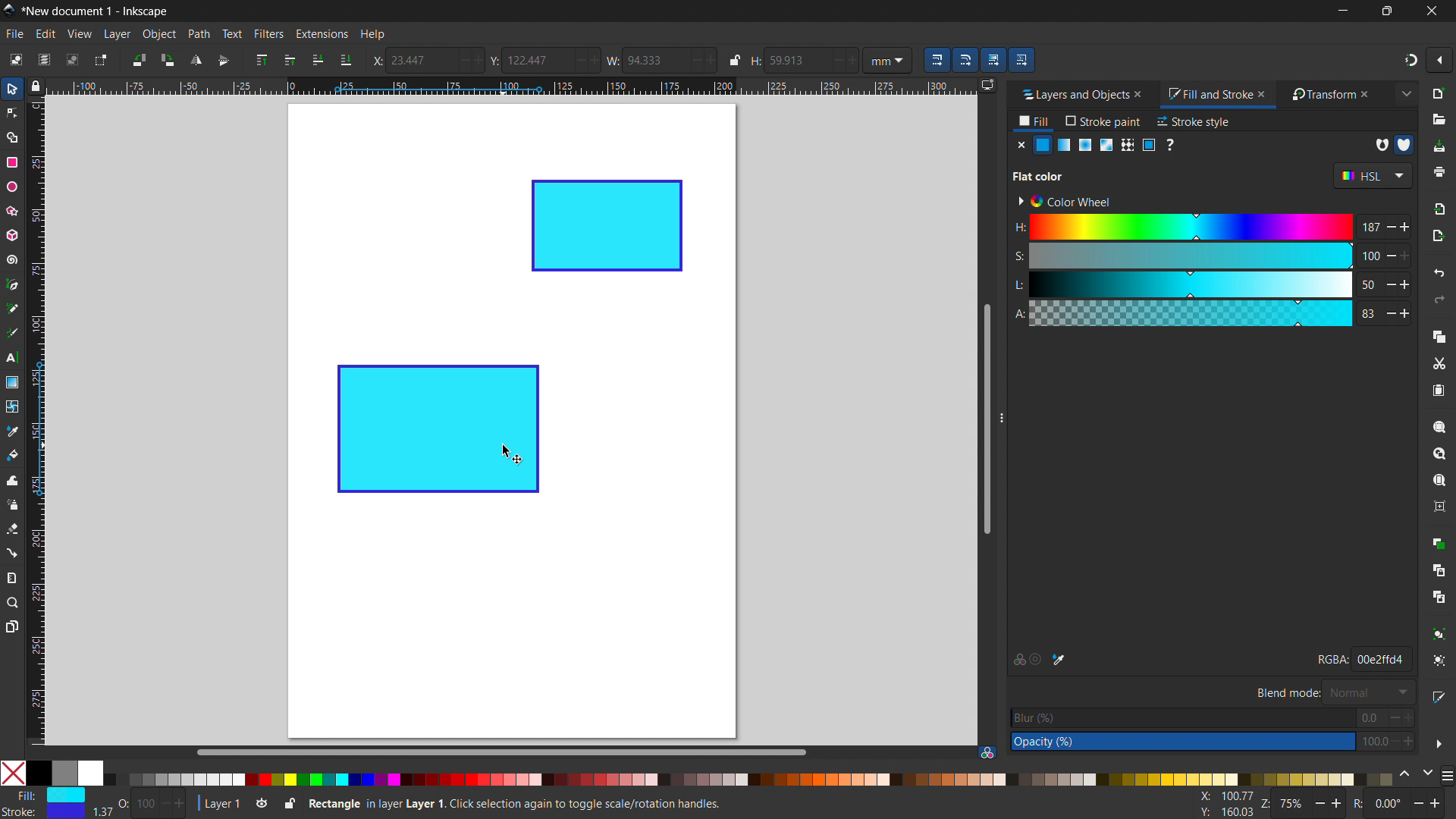 This screenshot has height=819, width=1456. What do you see at coordinates (1439, 481) in the screenshot?
I see `zoom page` at bounding box center [1439, 481].